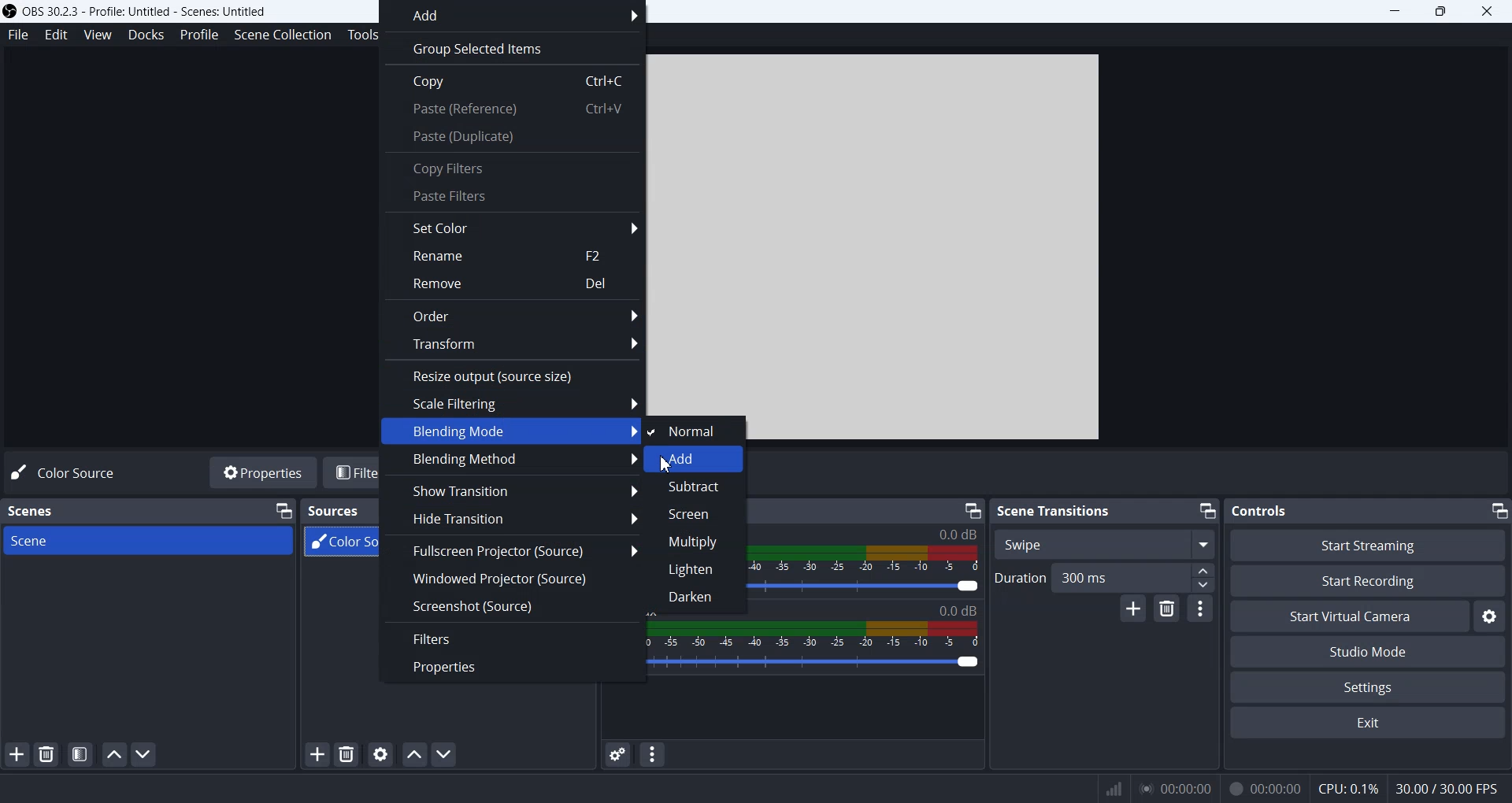  What do you see at coordinates (1106, 787) in the screenshot?
I see `Signals` at bounding box center [1106, 787].